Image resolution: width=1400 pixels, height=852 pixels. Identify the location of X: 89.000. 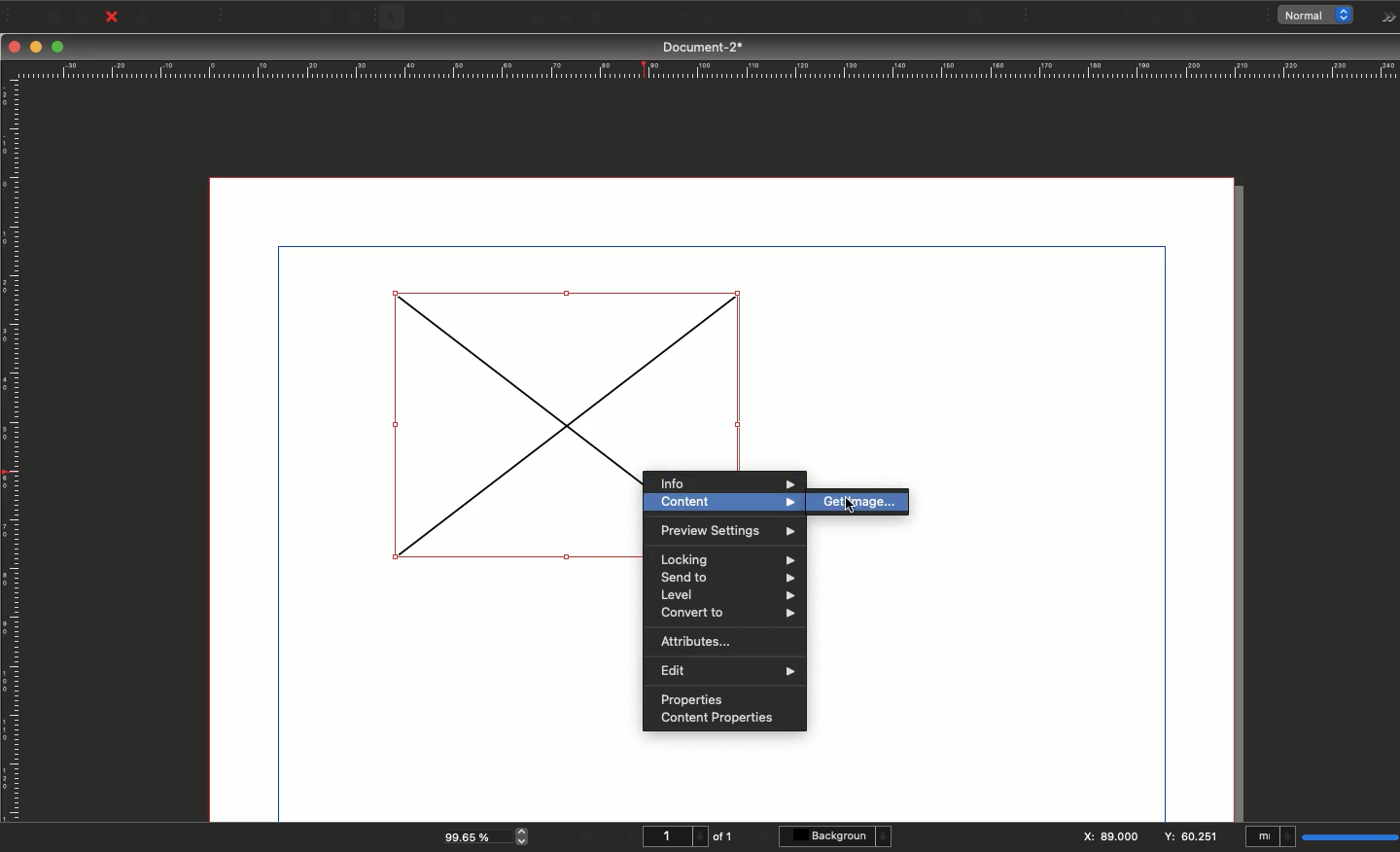
(1108, 837).